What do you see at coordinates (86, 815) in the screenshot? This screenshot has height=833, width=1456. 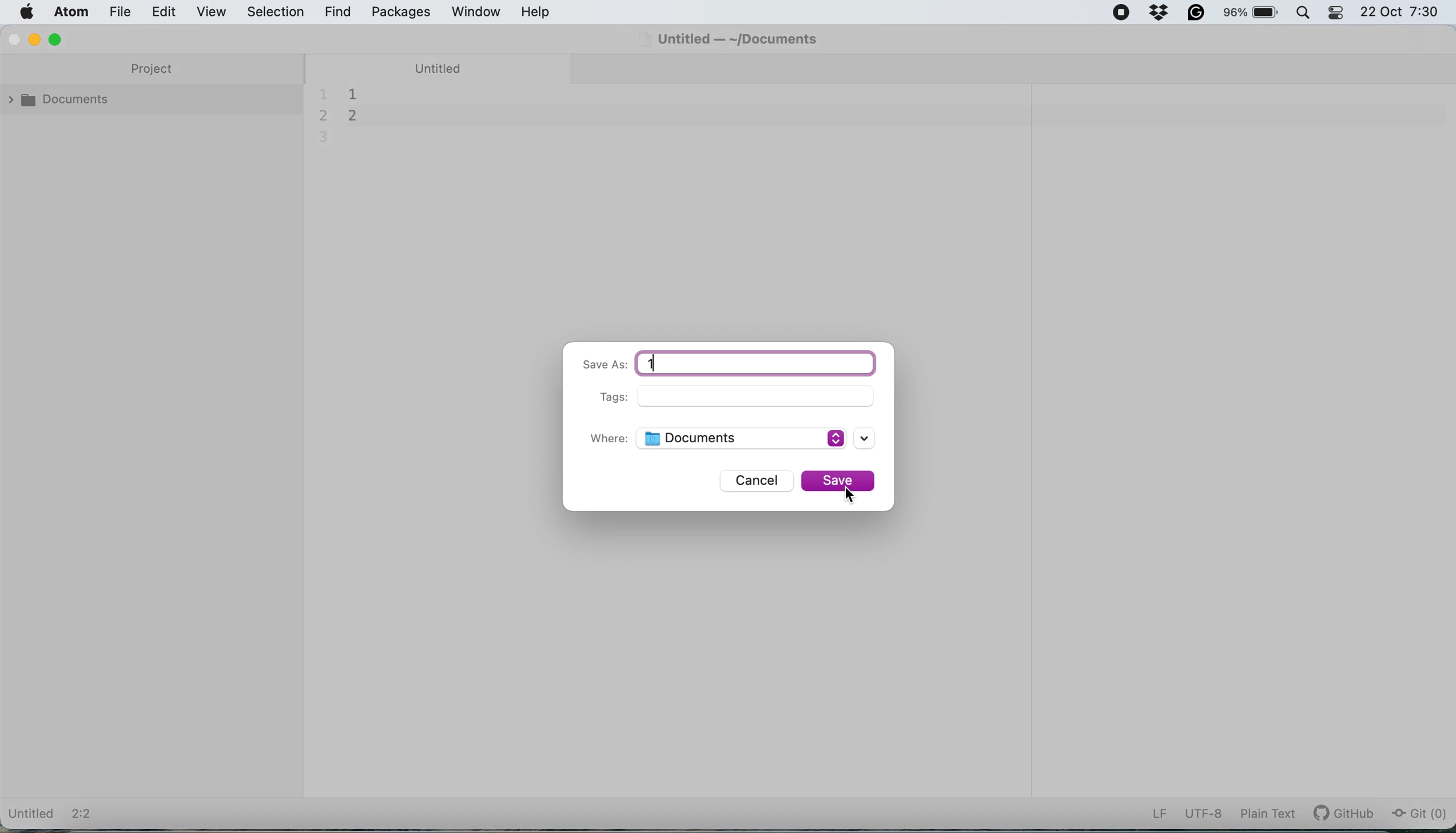 I see `2:2` at bounding box center [86, 815].